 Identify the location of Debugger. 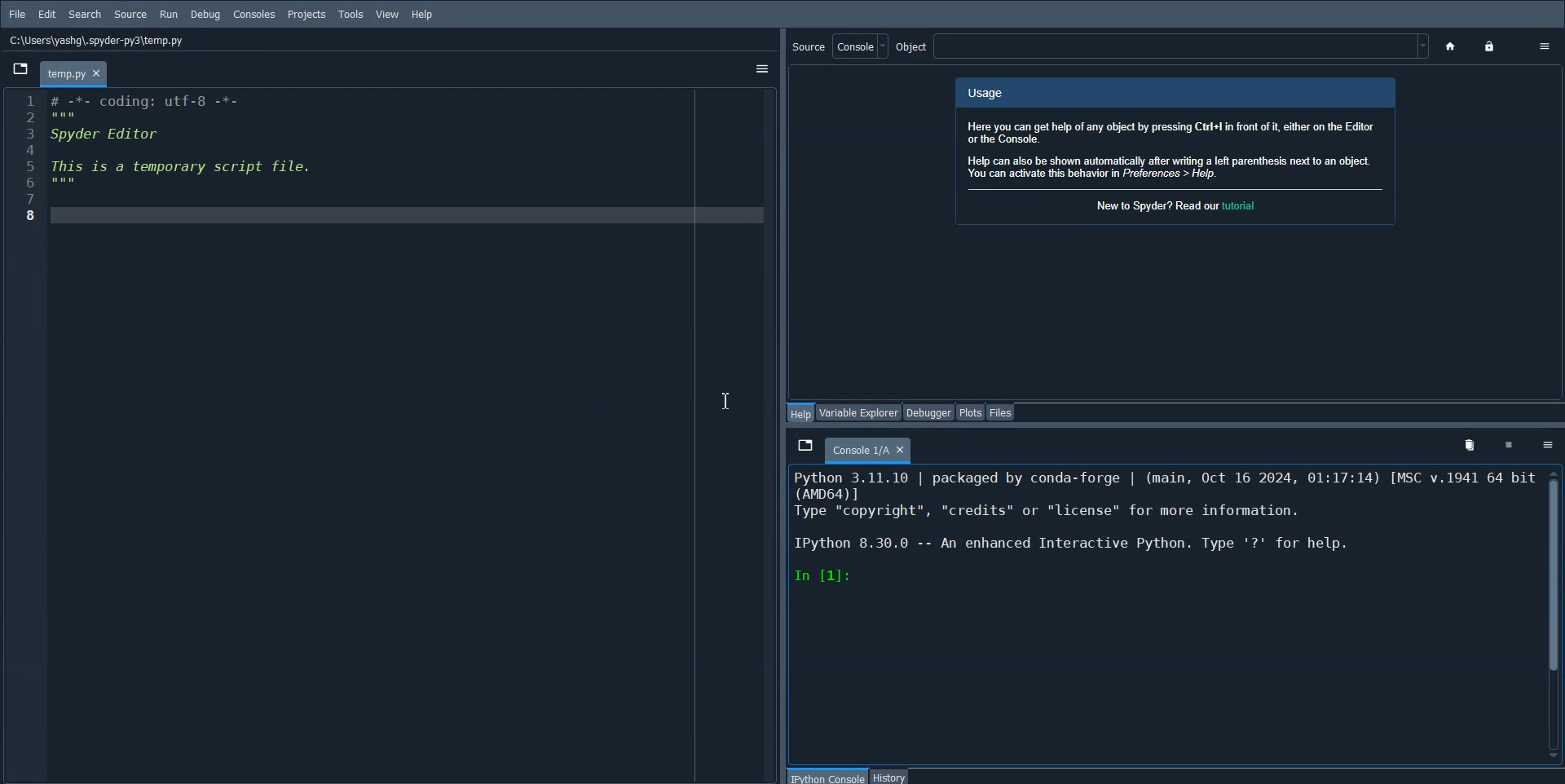
(929, 412).